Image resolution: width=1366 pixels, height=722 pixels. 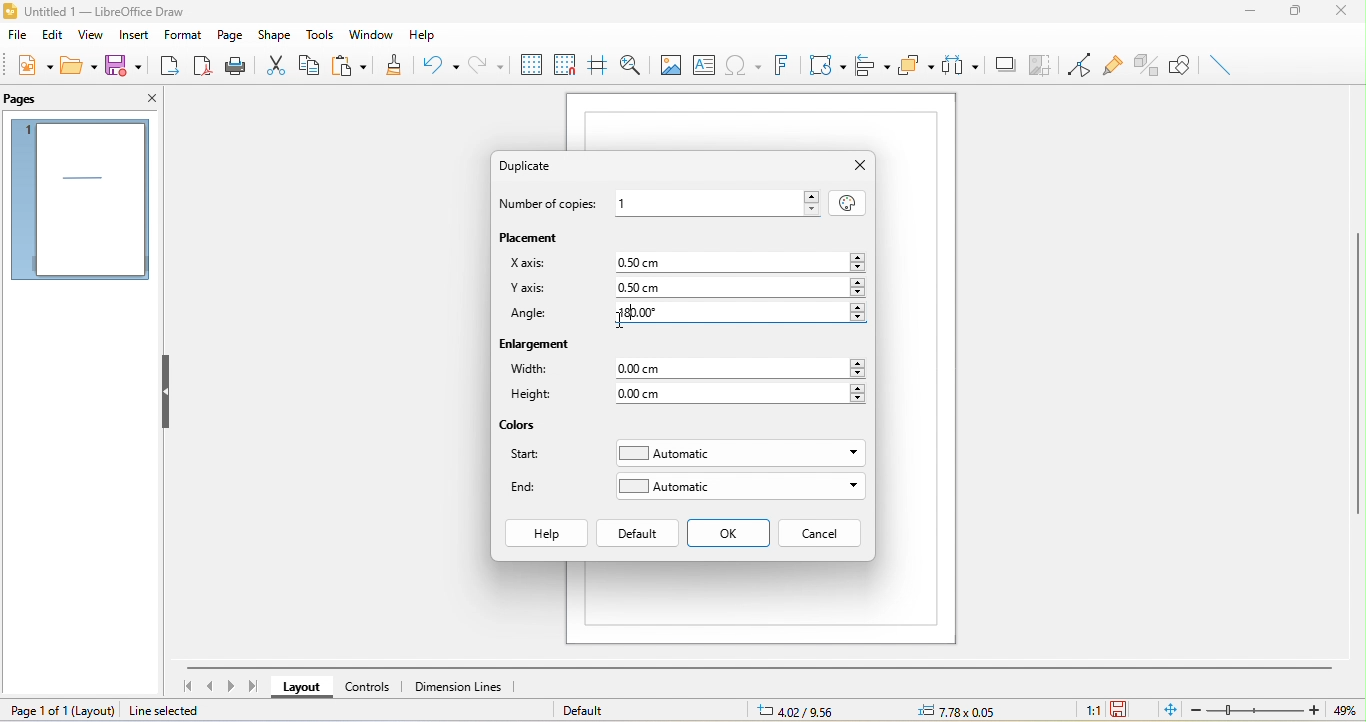 I want to click on shape, so click(x=278, y=34).